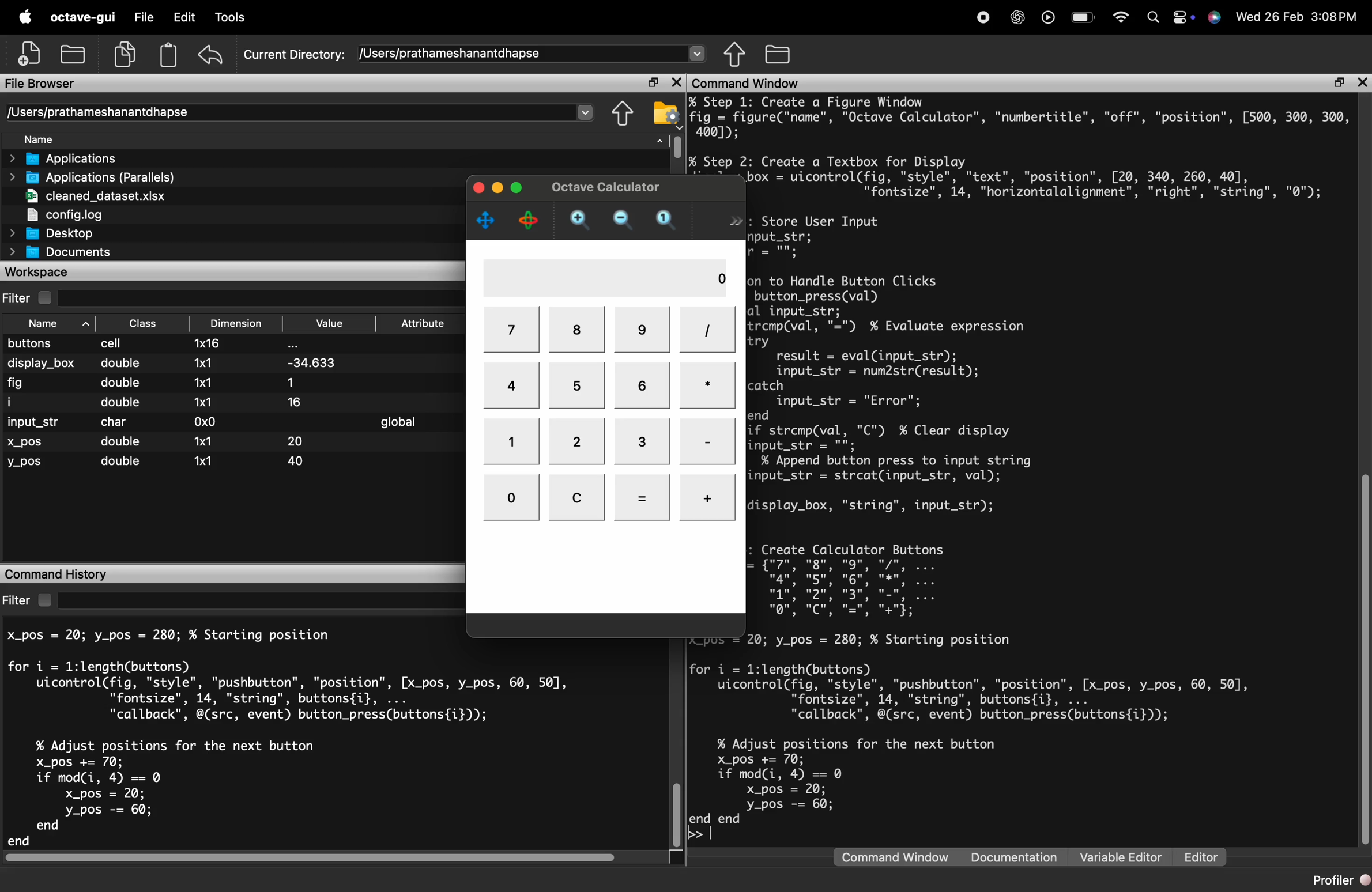 Image resolution: width=1372 pixels, height=892 pixels. What do you see at coordinates (1338, 83) in the screenshot?
I see `maximize` at bounding box center [1338, 83].